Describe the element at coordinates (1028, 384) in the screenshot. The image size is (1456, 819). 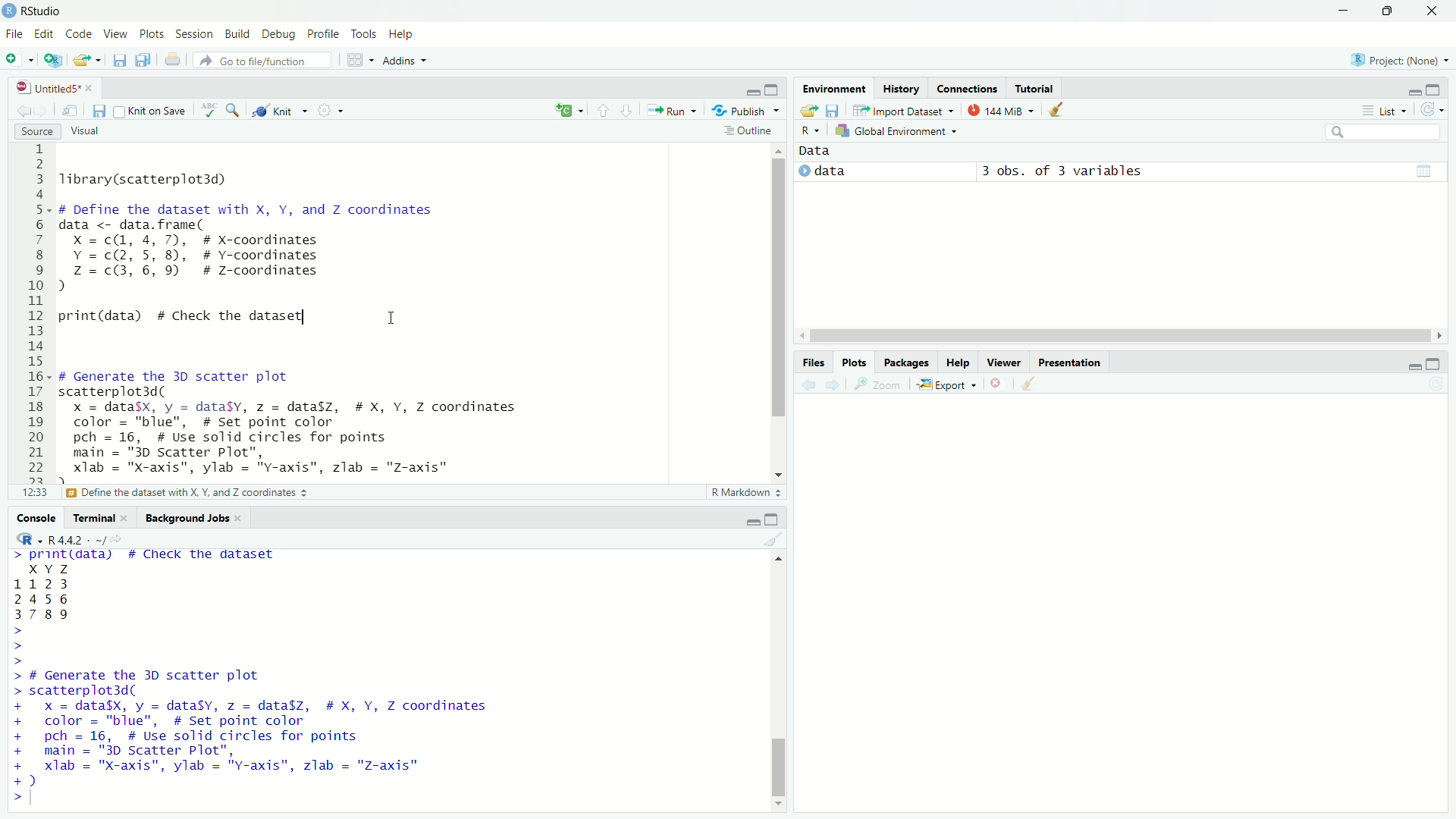
I see `clear all plots` at that location.